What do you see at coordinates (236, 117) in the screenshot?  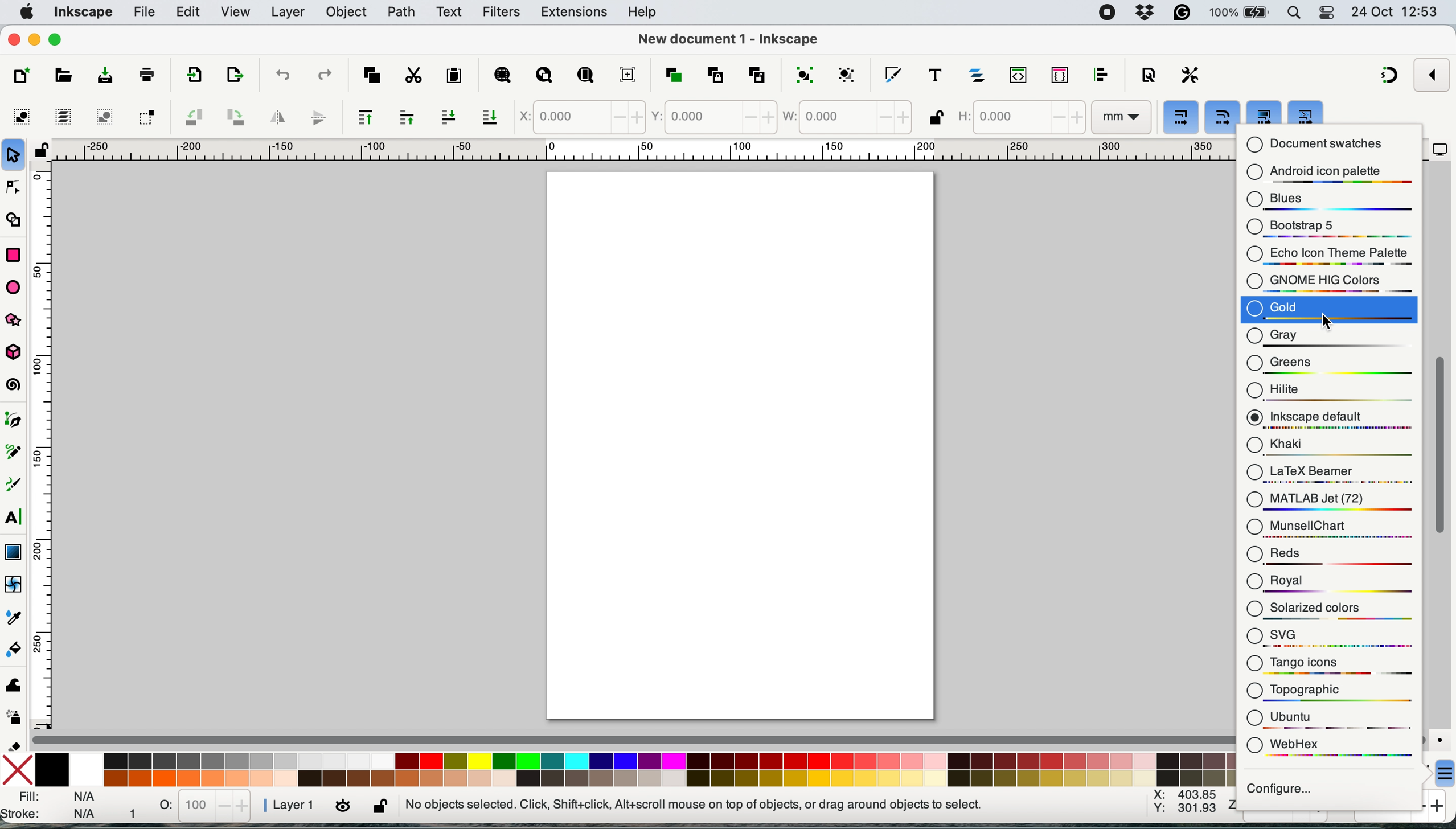 I see `object rotate 90` at bounding box center [236, 117].